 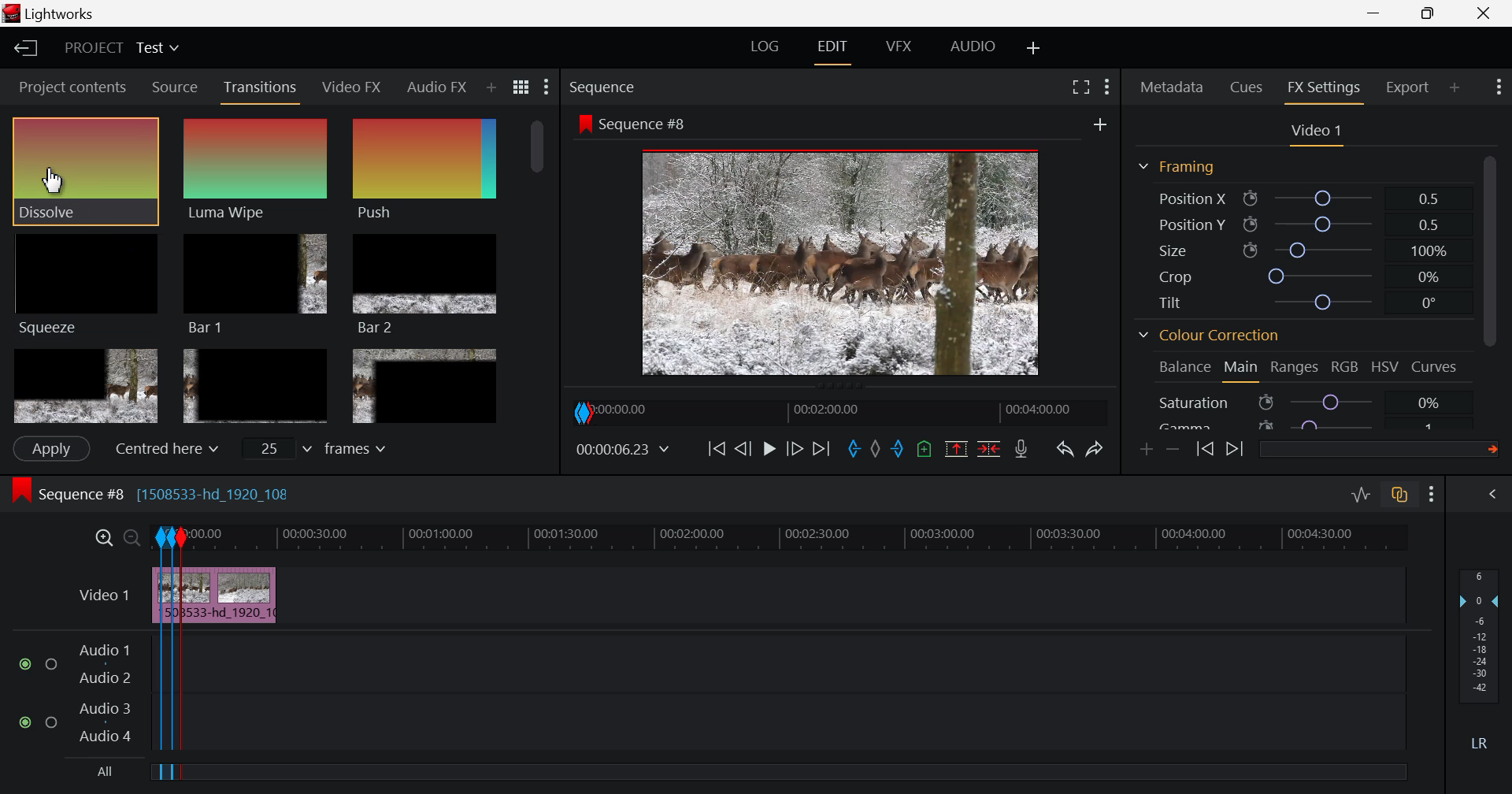 I want to click on Toggle audio levels, so click(x=1361, y=495).